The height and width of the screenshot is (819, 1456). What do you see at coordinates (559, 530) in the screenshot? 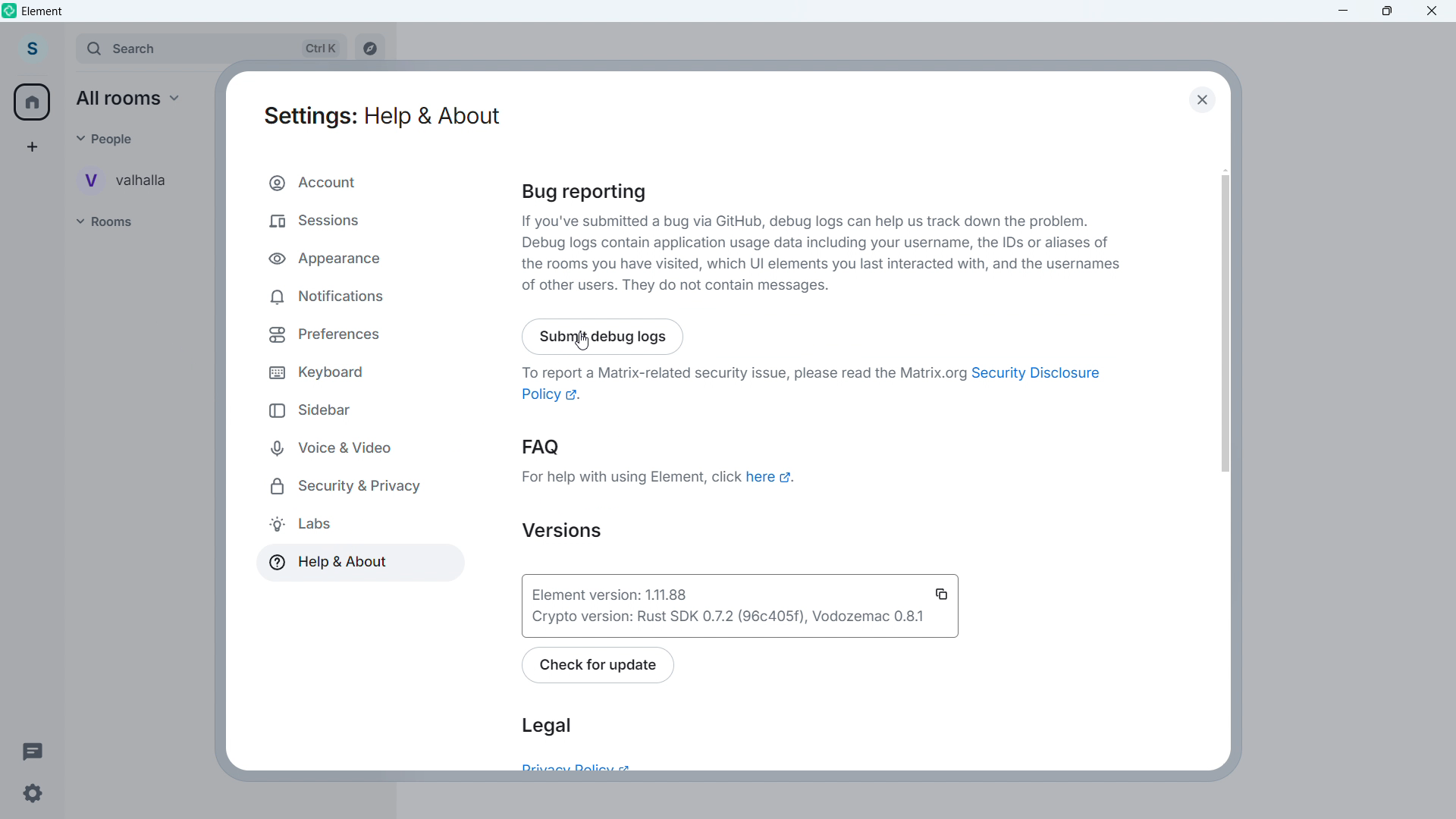
I see `Versions ` at bounding box center [559, 530].